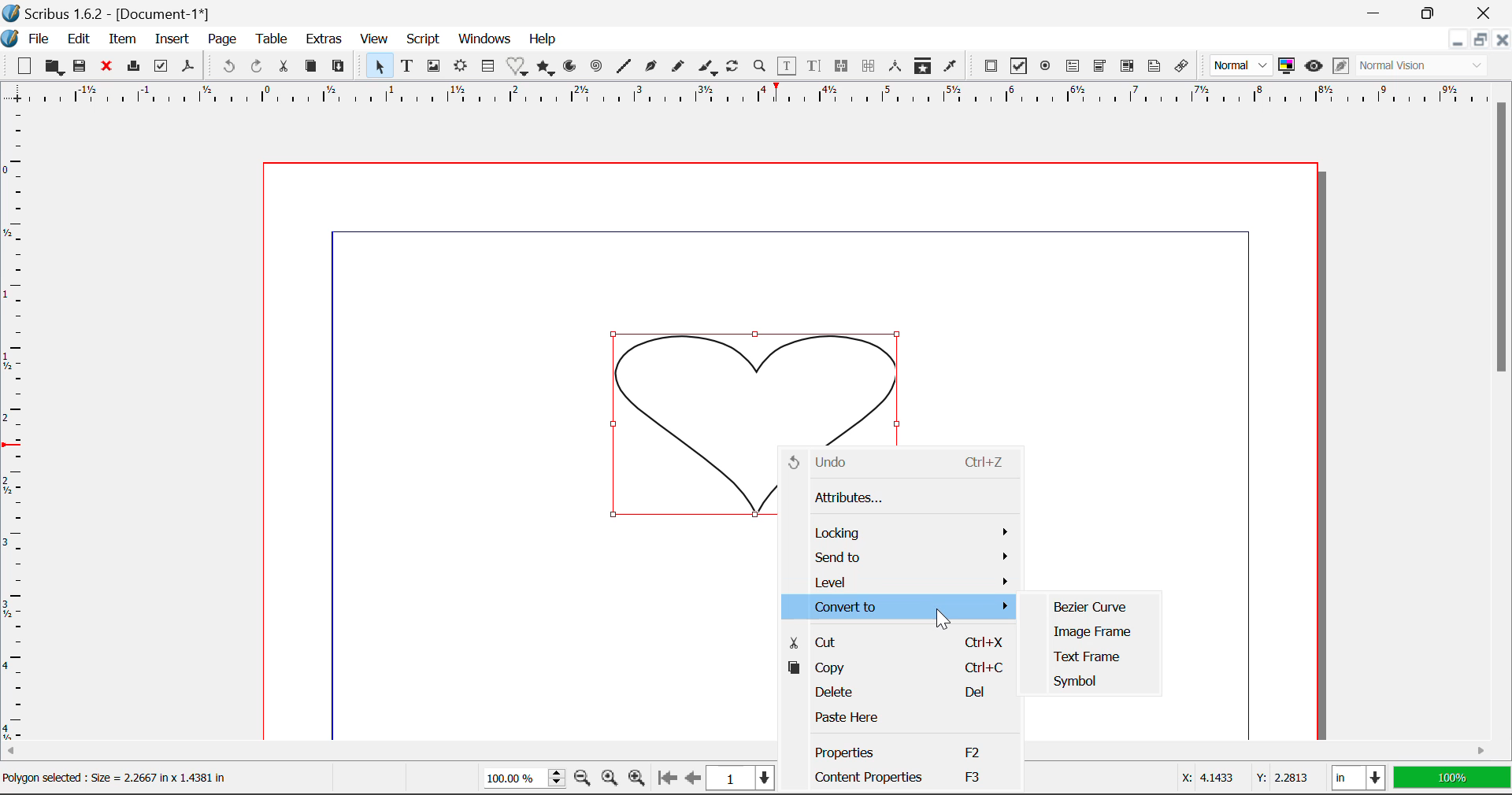 This screenshot has height=795, width=1512. What do you see at coordinates (1095, 603) in the screenshot?
I see `Bezier Curve` at bounding box center [1095, 603].